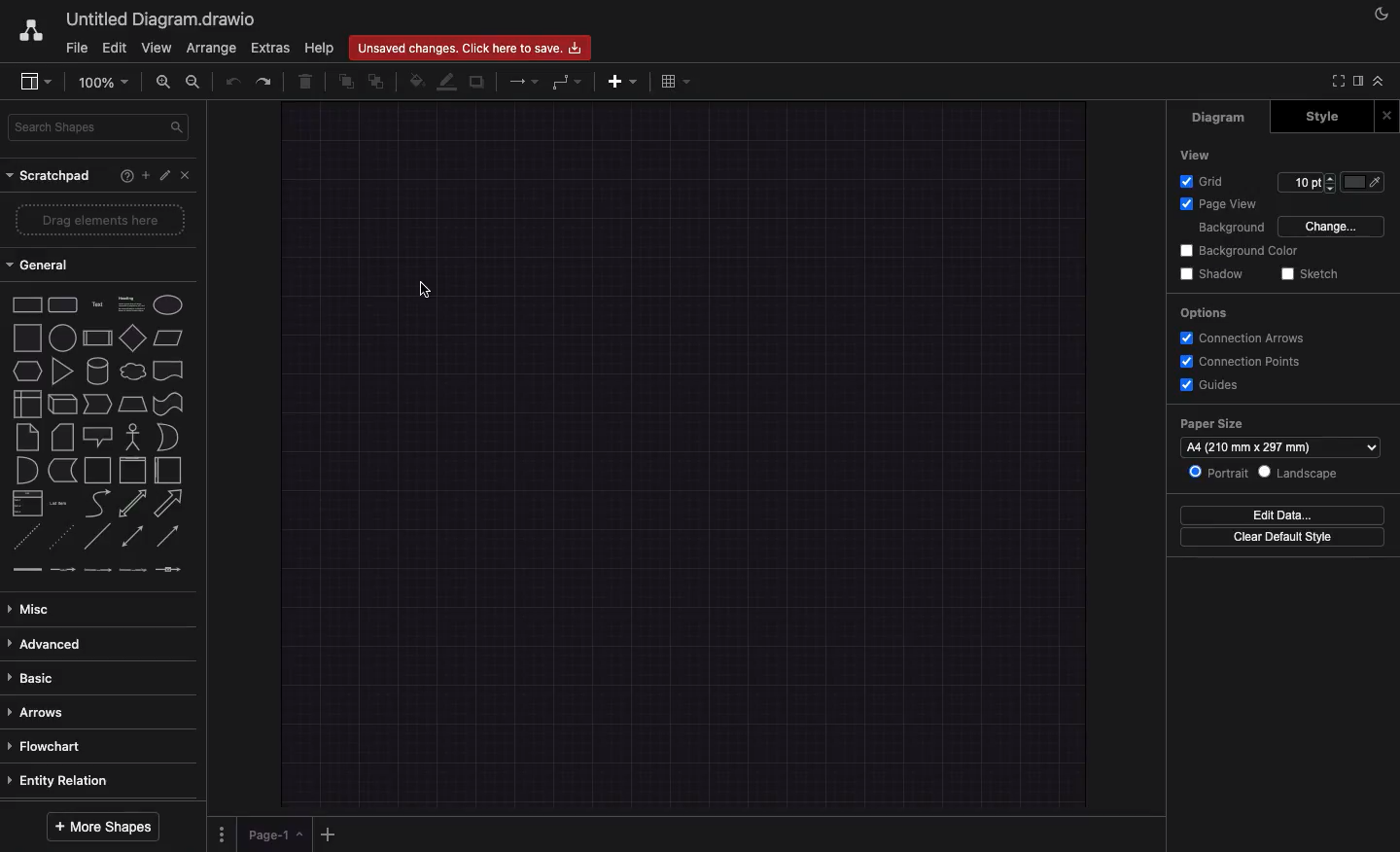 The width and height of the screenshot is (1400, 852). What do you see at coordinates (169, 575) in the screenshot?
I see `connector with symbol` at bounding box center [169, 575].